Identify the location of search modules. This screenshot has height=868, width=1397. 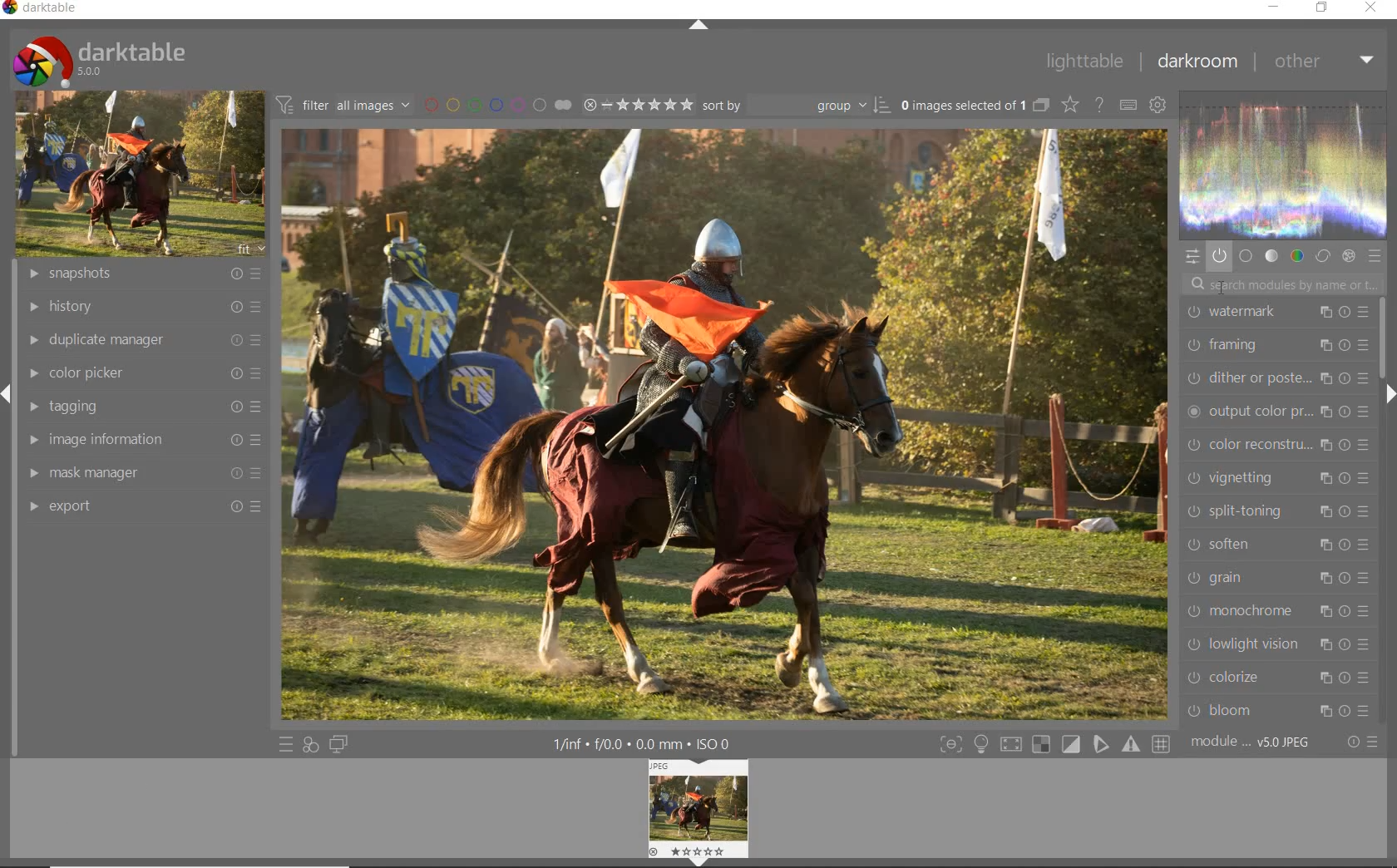
(1278, 283).